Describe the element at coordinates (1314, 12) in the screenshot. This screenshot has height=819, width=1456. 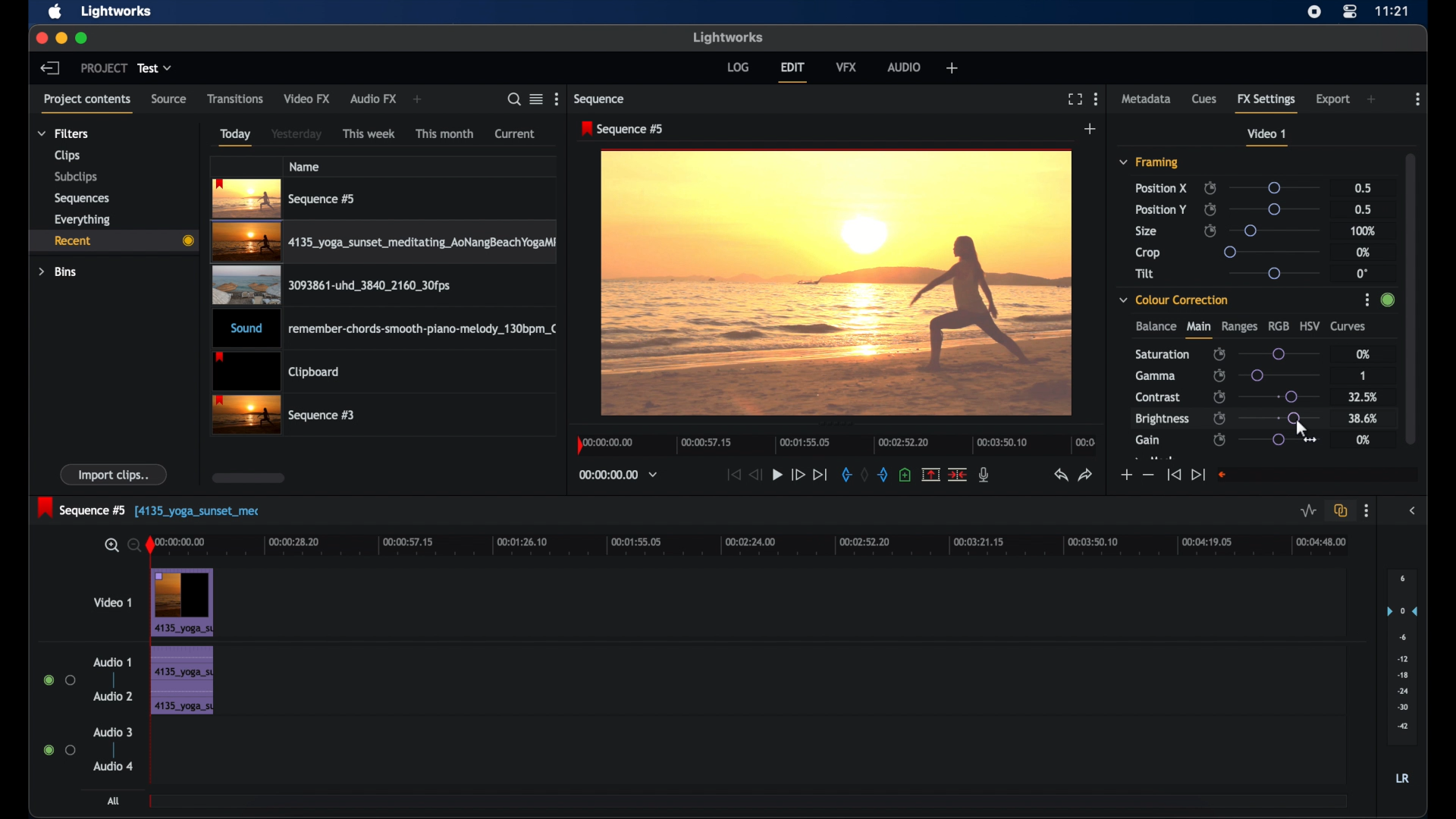
I see `screen recorder icon` at that location.